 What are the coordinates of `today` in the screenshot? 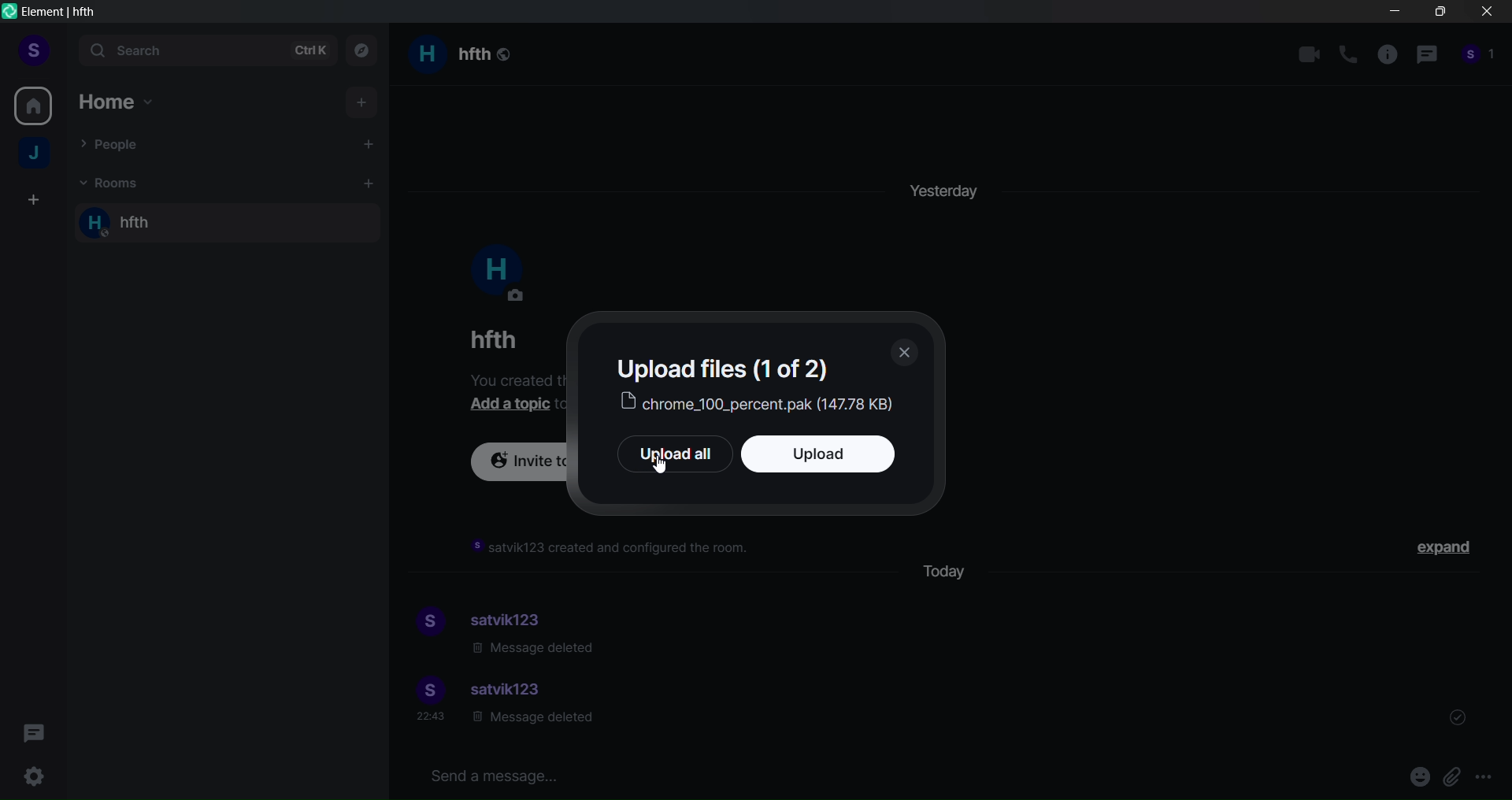 It's located at (952, 569).